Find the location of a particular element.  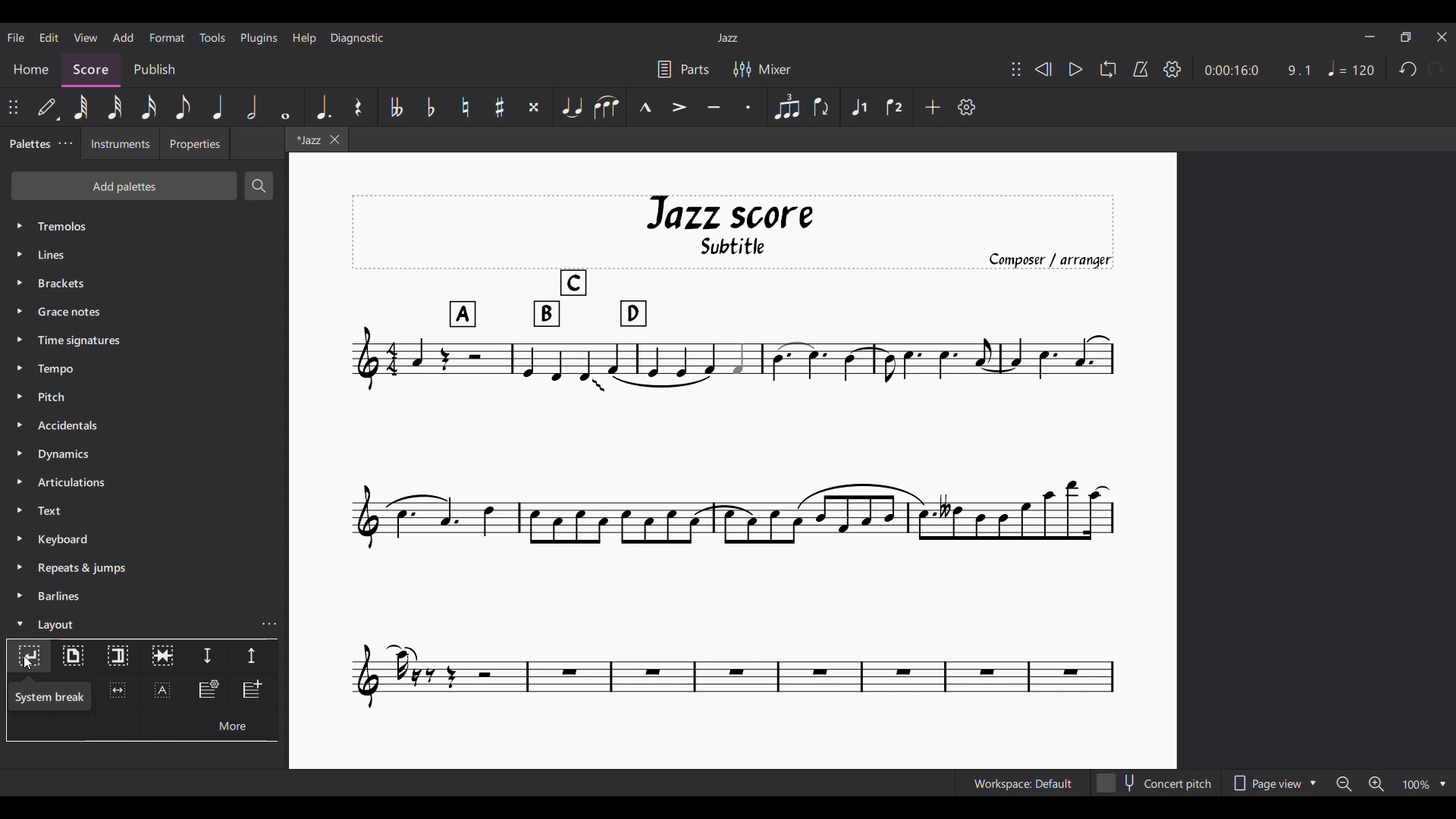

Start spacer up is located at coordinates (253, 657).